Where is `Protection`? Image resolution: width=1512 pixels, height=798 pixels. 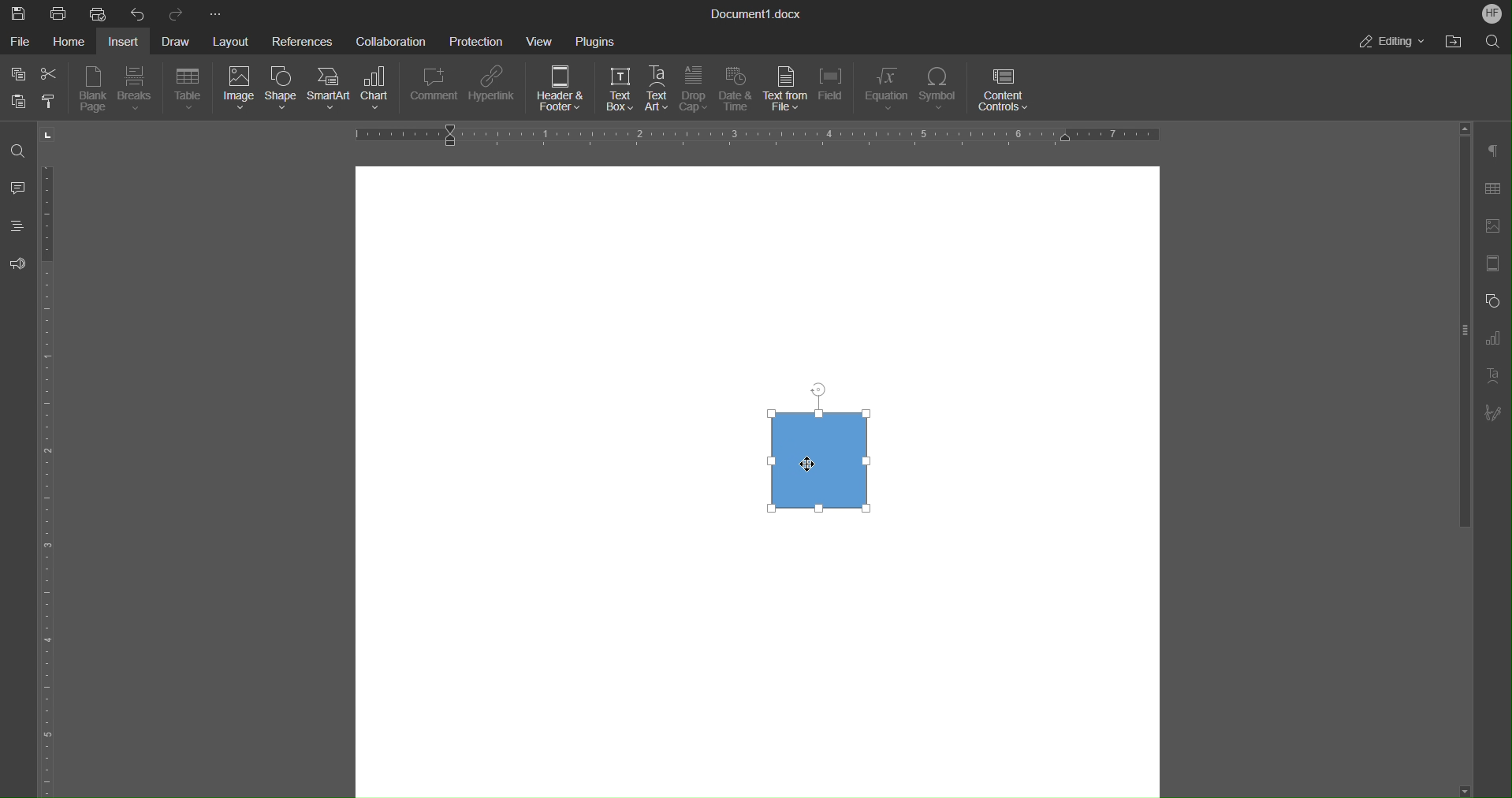 Protection is located at coordinates (478, 40).